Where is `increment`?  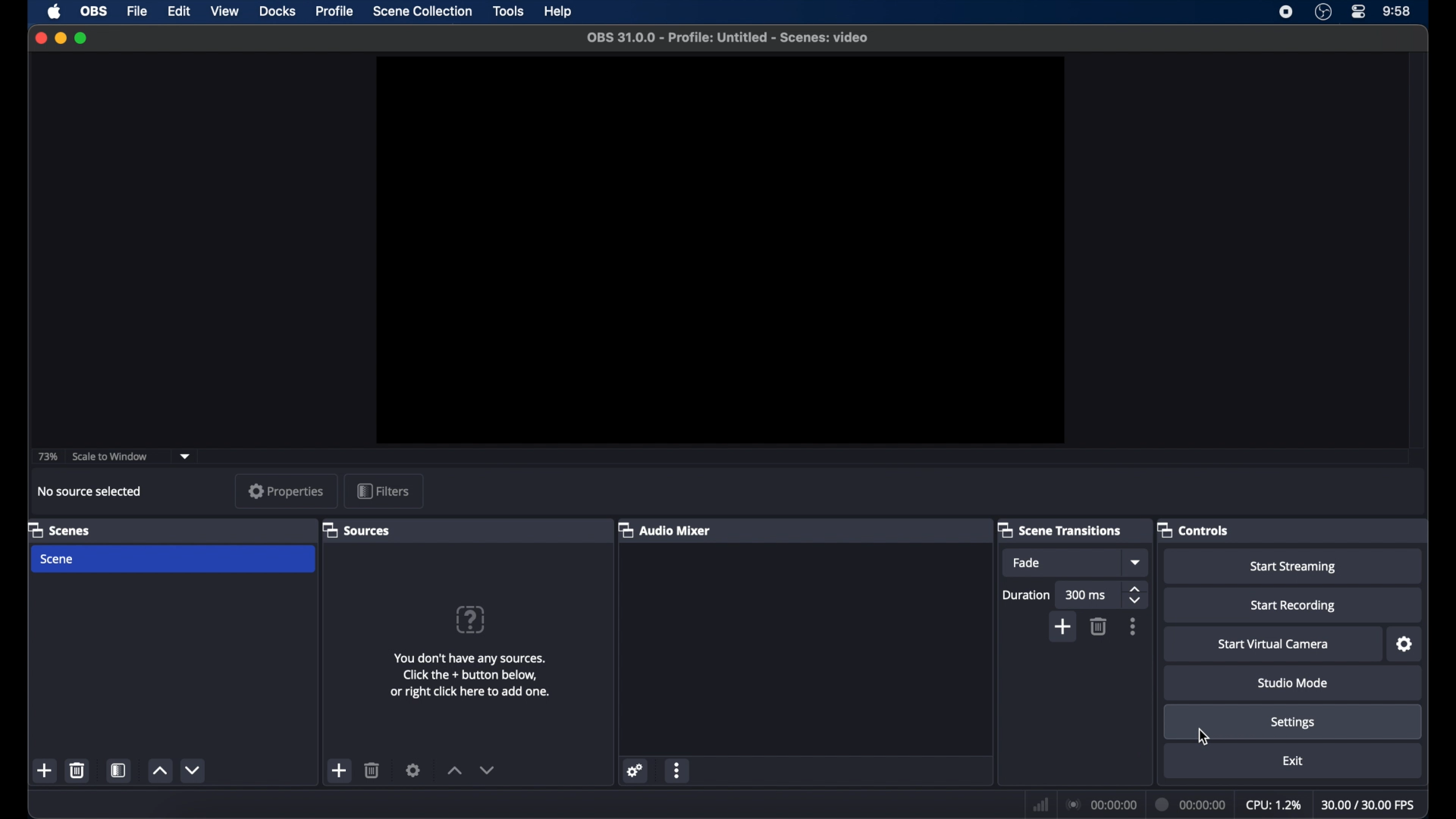
increment is located at coordinates (160, 772).